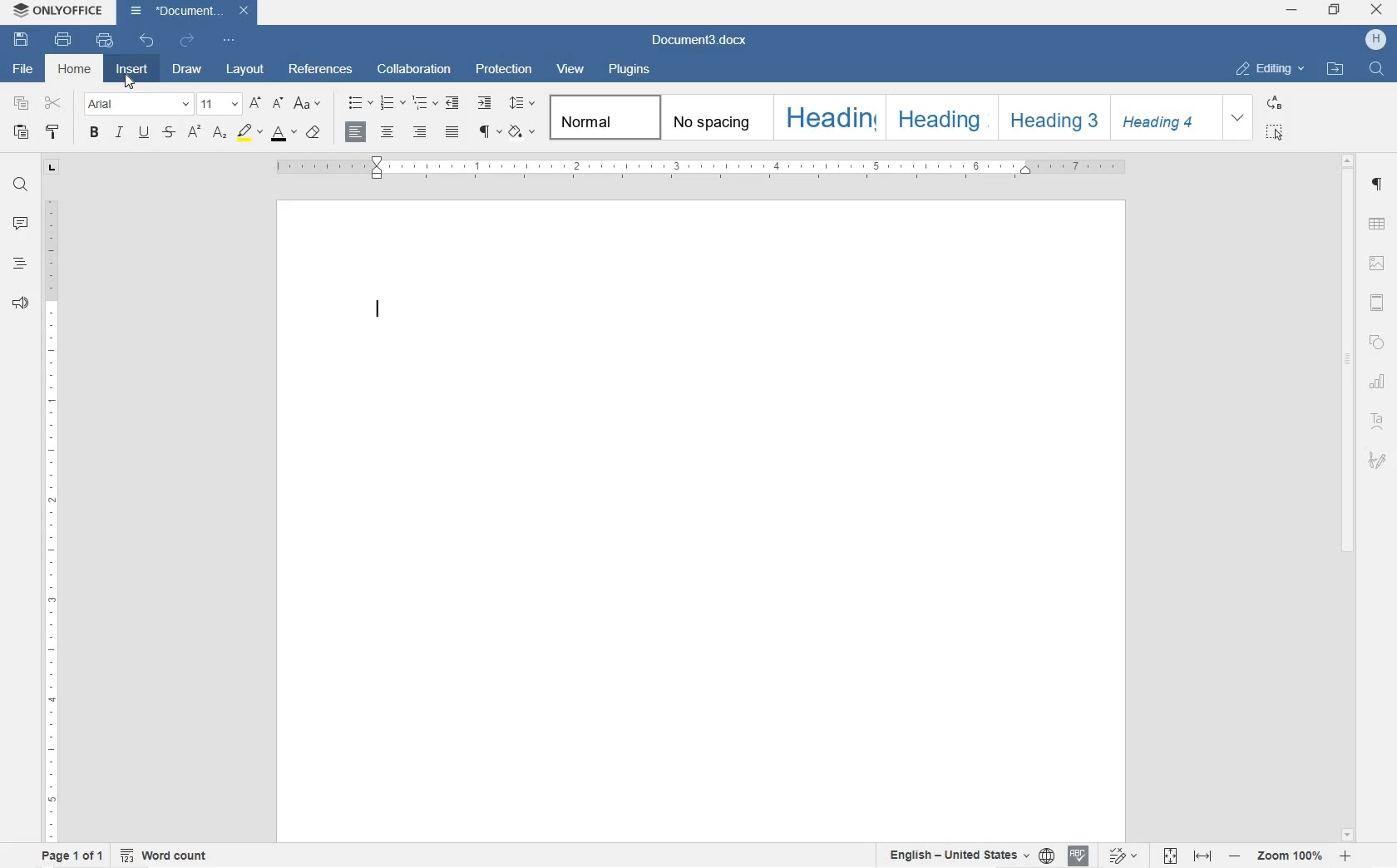  Describe the element at coordinates (484, 101) in the screenshot. I see `INCREASE INDENT` at that location.